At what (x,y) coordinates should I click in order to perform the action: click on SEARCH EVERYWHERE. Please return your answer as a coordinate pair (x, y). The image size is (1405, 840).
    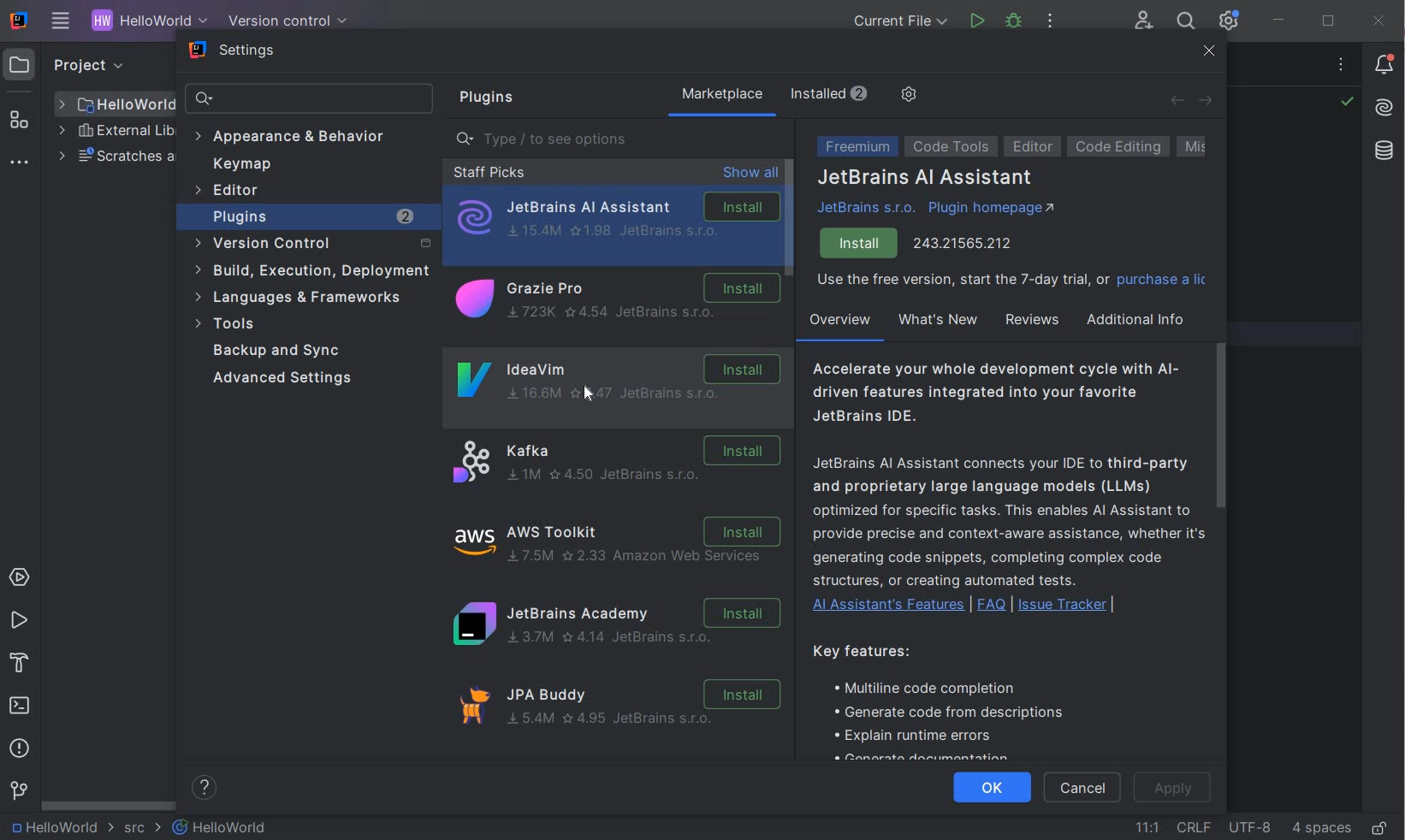
    Looking at the image, I should click on (1185, 23).